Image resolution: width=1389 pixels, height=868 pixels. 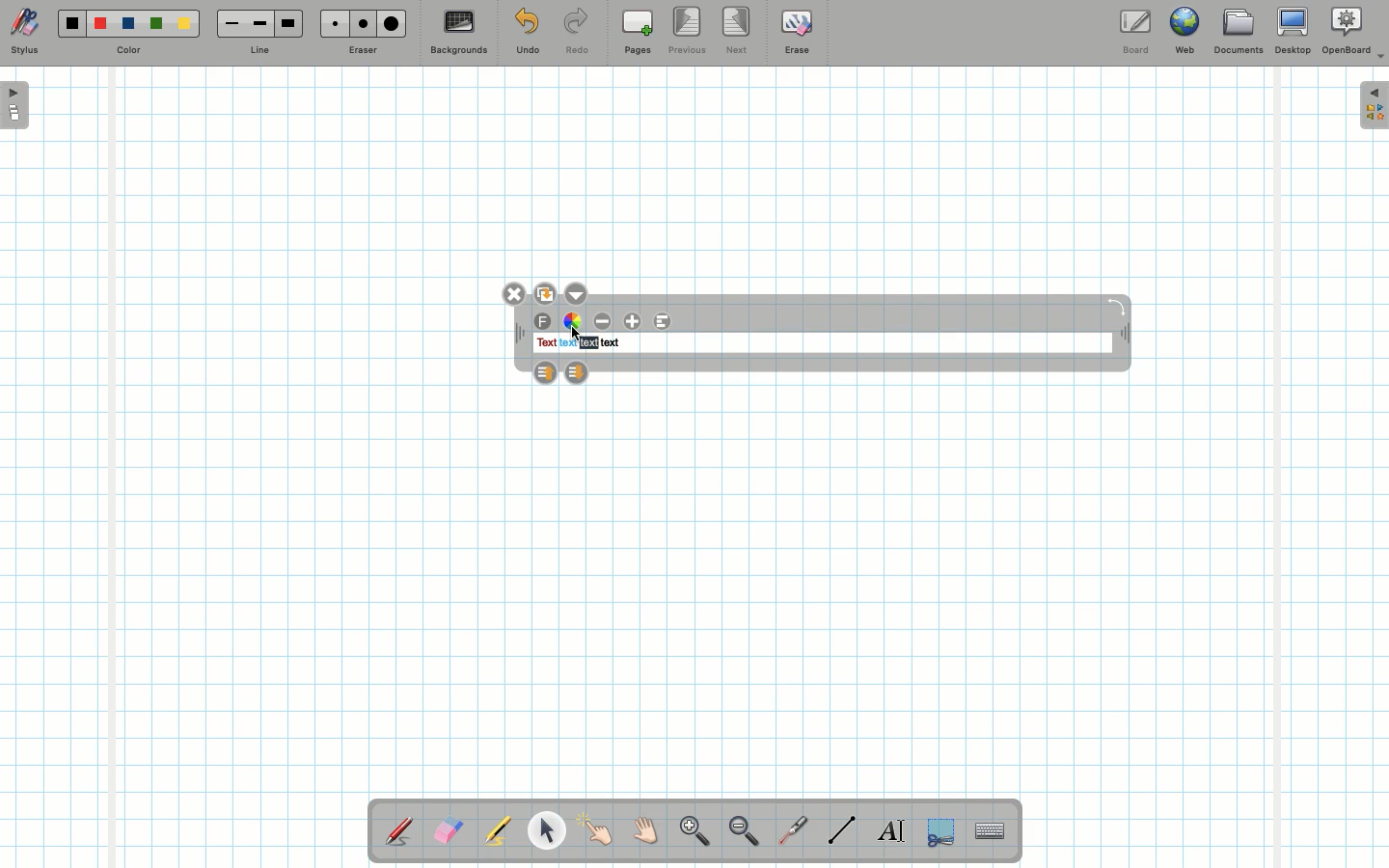 What do you see at coordinates (789, 831) in the screenshot?
I see `Laser pointer` at bounding box center [789, 831].